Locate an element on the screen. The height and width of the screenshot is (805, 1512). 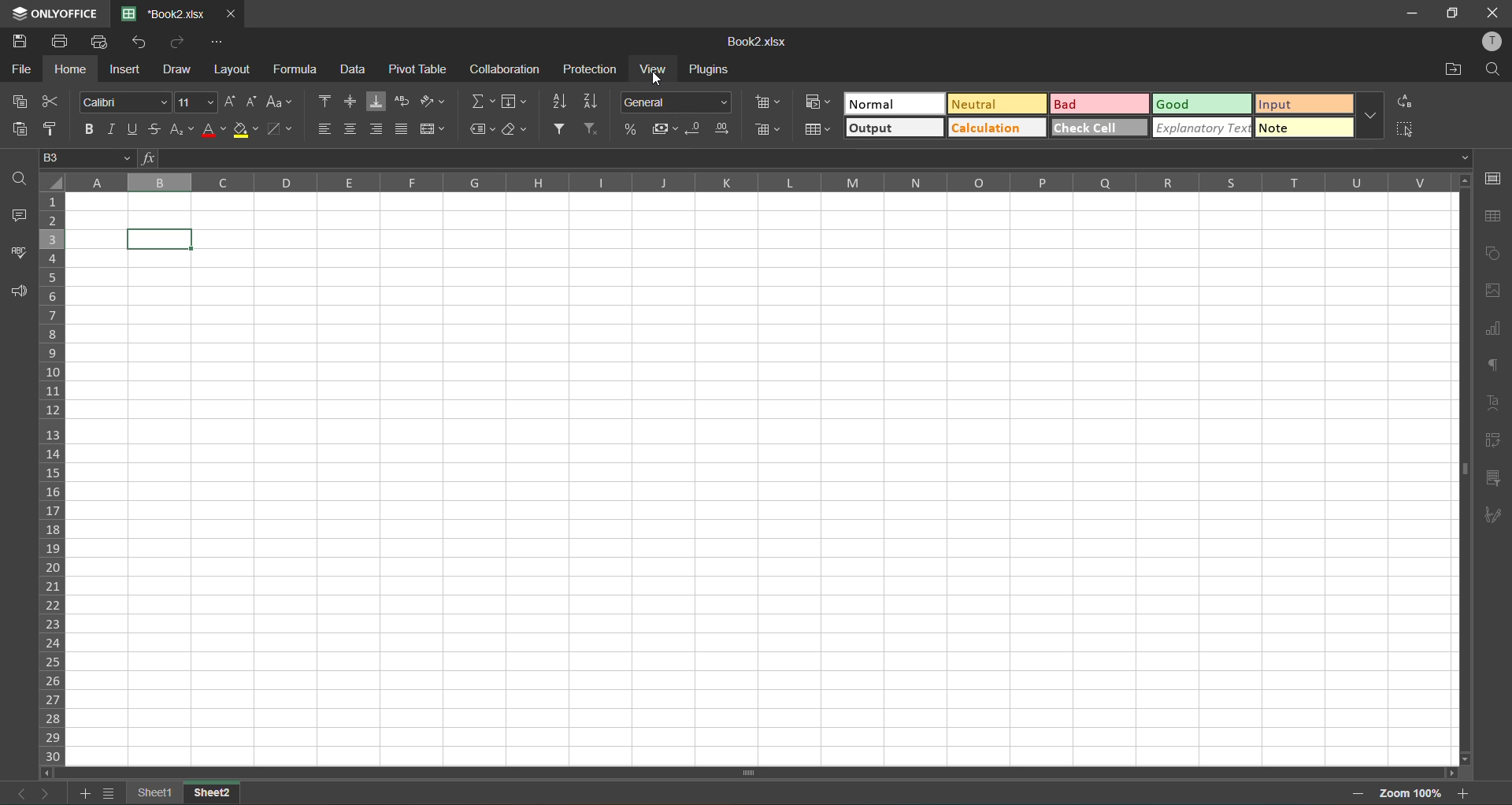
signature is located at coordinates (1493, 517).